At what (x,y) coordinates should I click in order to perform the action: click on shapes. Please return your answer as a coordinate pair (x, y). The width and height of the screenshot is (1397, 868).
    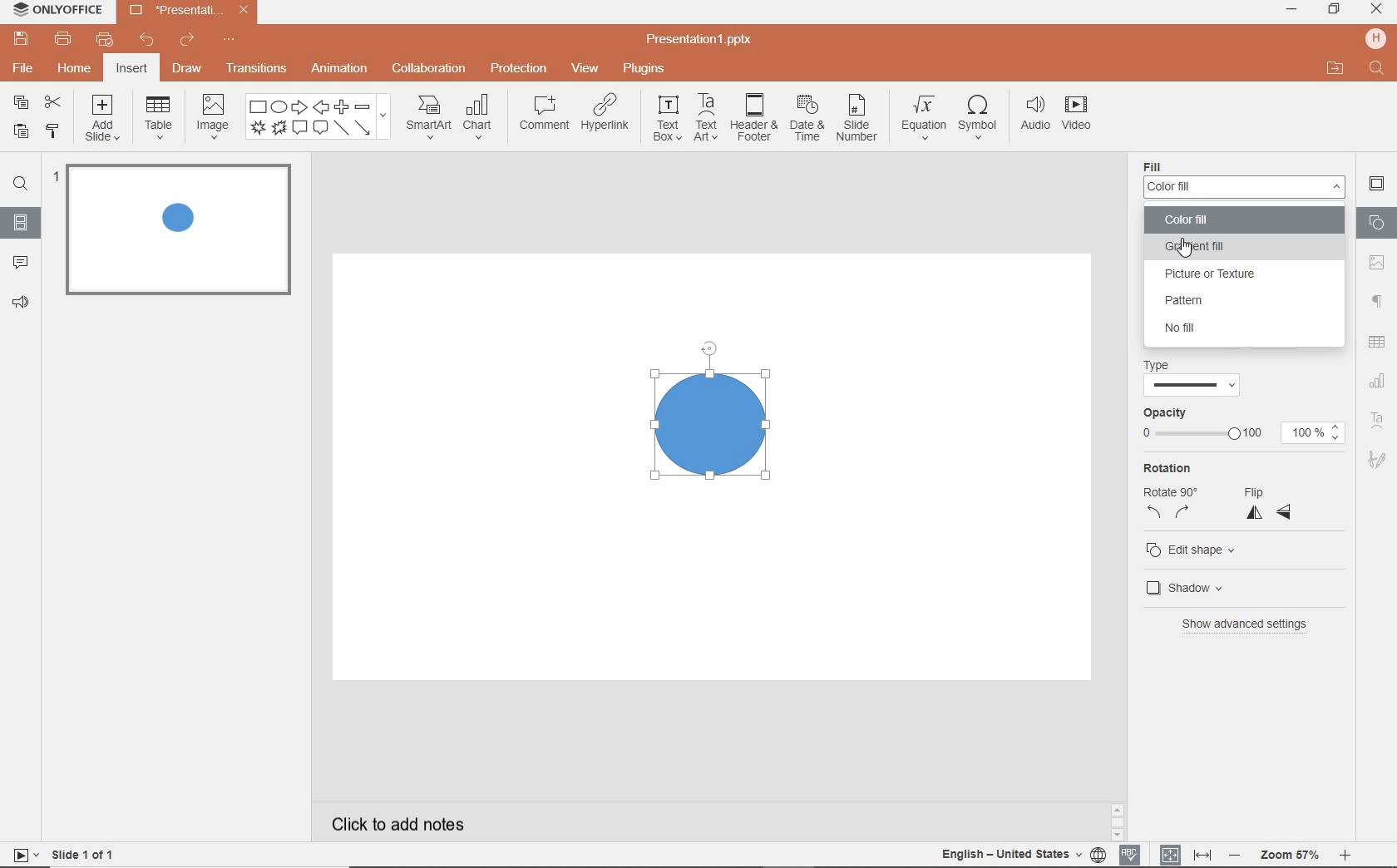
    Looking at the image, I should click on (1376, 222).